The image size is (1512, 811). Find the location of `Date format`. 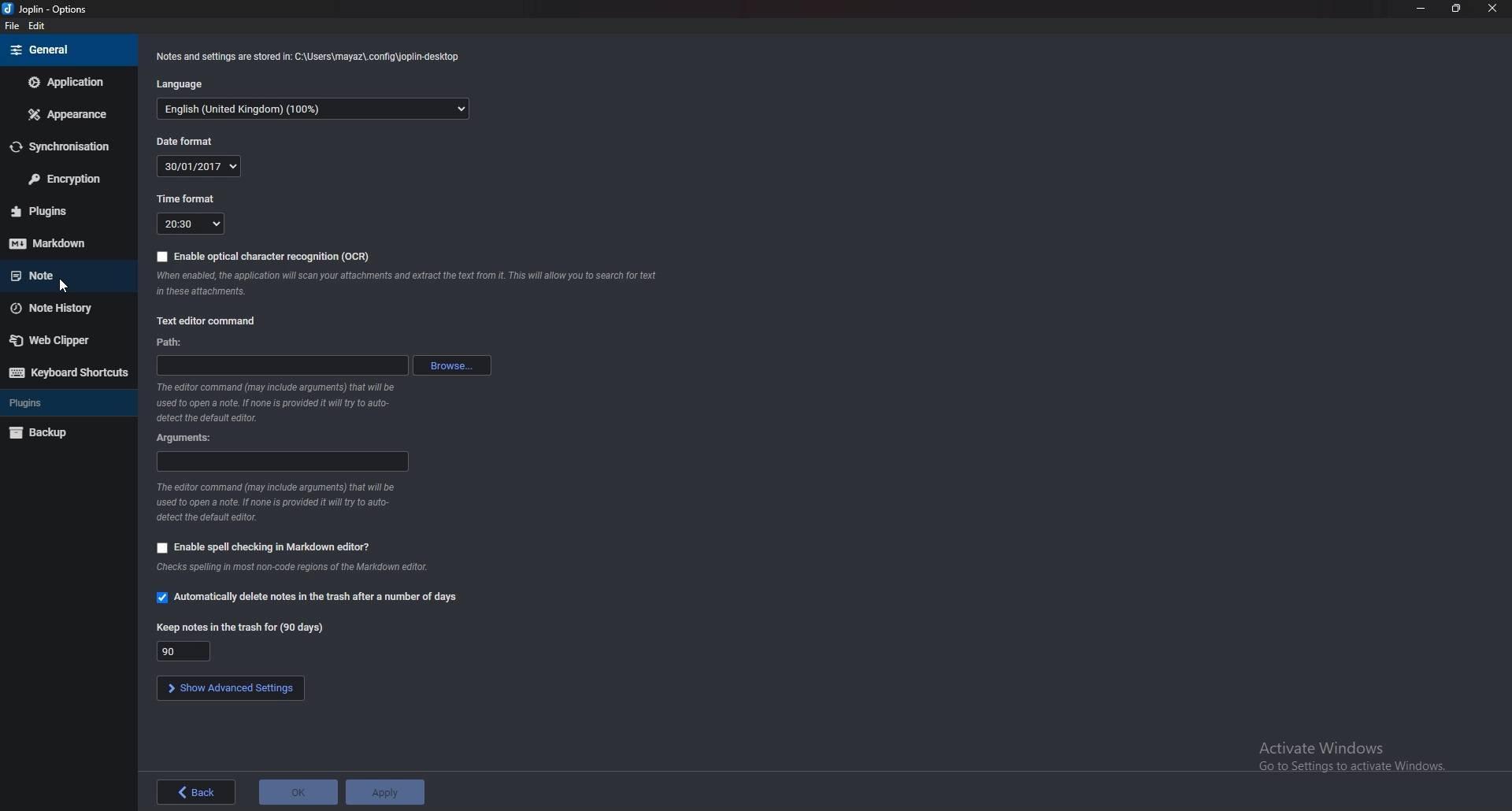

Date format is located at coordinates (187, 139).